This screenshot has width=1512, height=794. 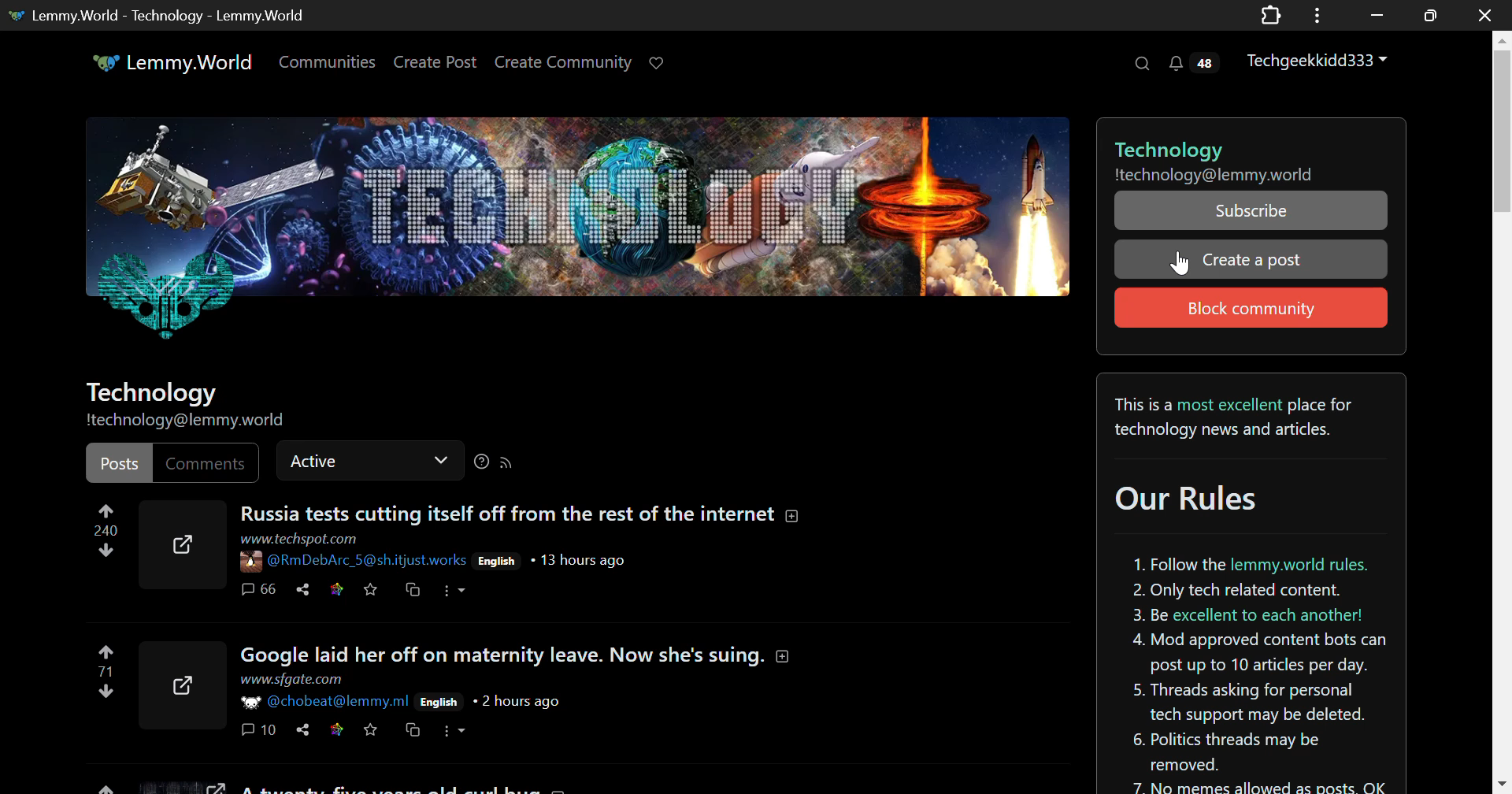 I want to click on Vertical Scroll Bar, so click(x=1503, y=412).